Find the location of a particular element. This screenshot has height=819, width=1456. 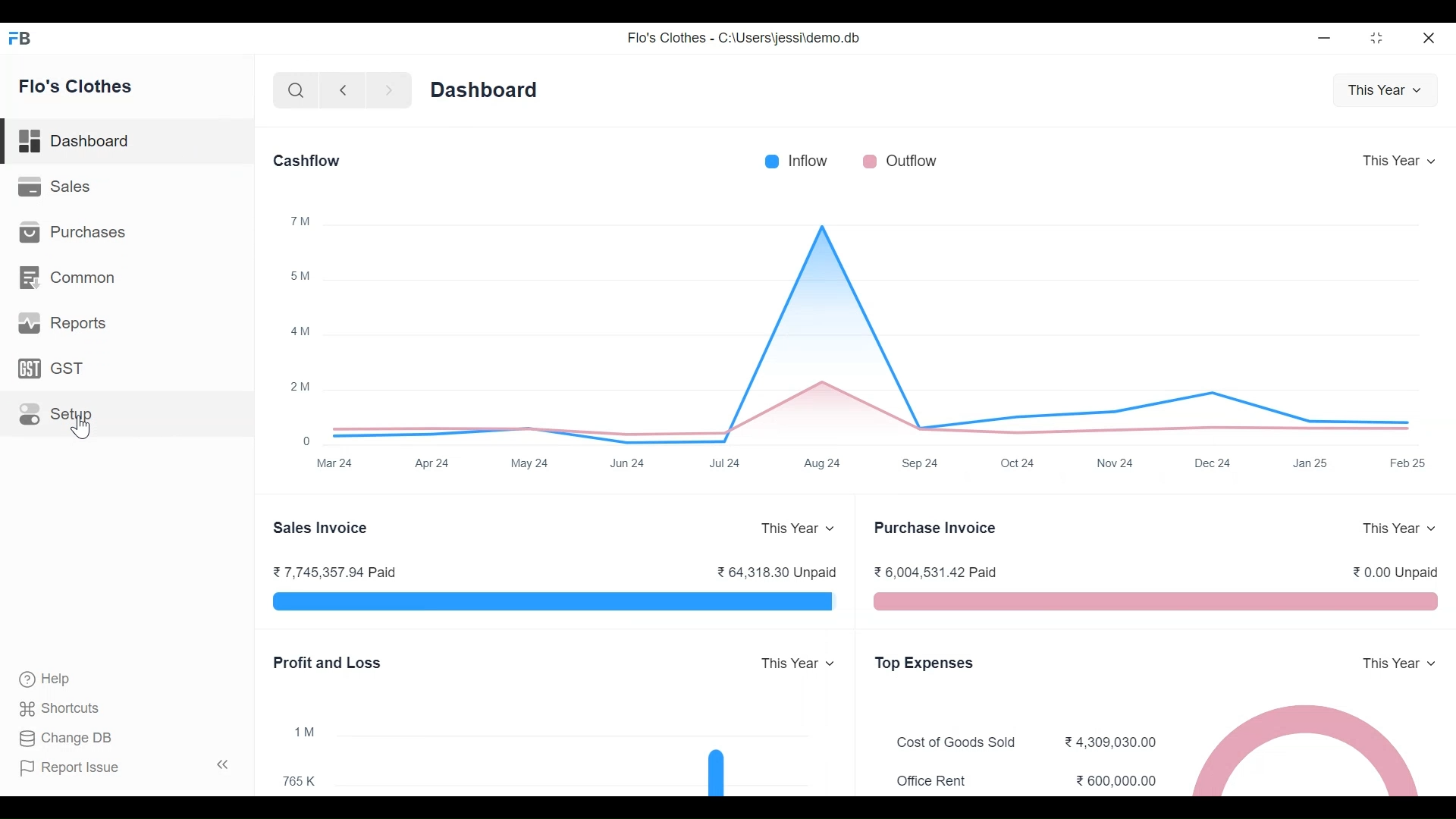

dashboard is located at coordinates (485, 90).